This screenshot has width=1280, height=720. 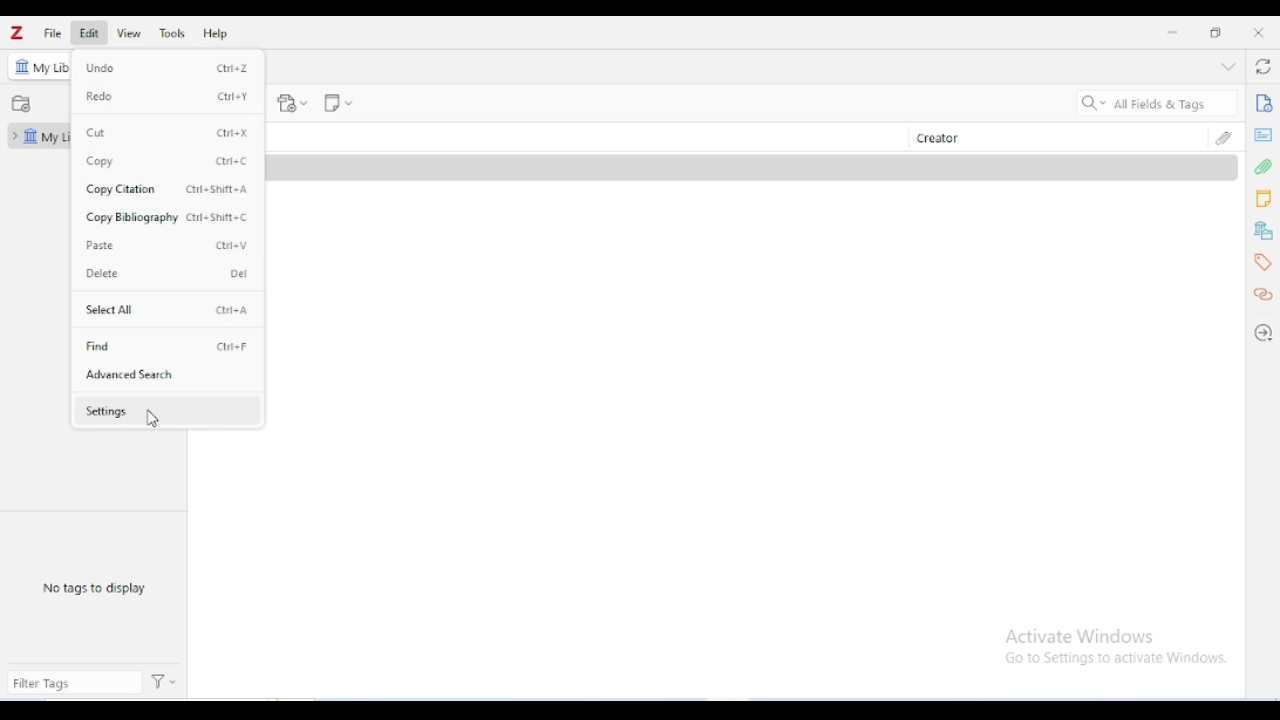 What do you see at coordinates (94, 587) in the screenshot?
I see `no tags to display` at bounding box center [94, 587].